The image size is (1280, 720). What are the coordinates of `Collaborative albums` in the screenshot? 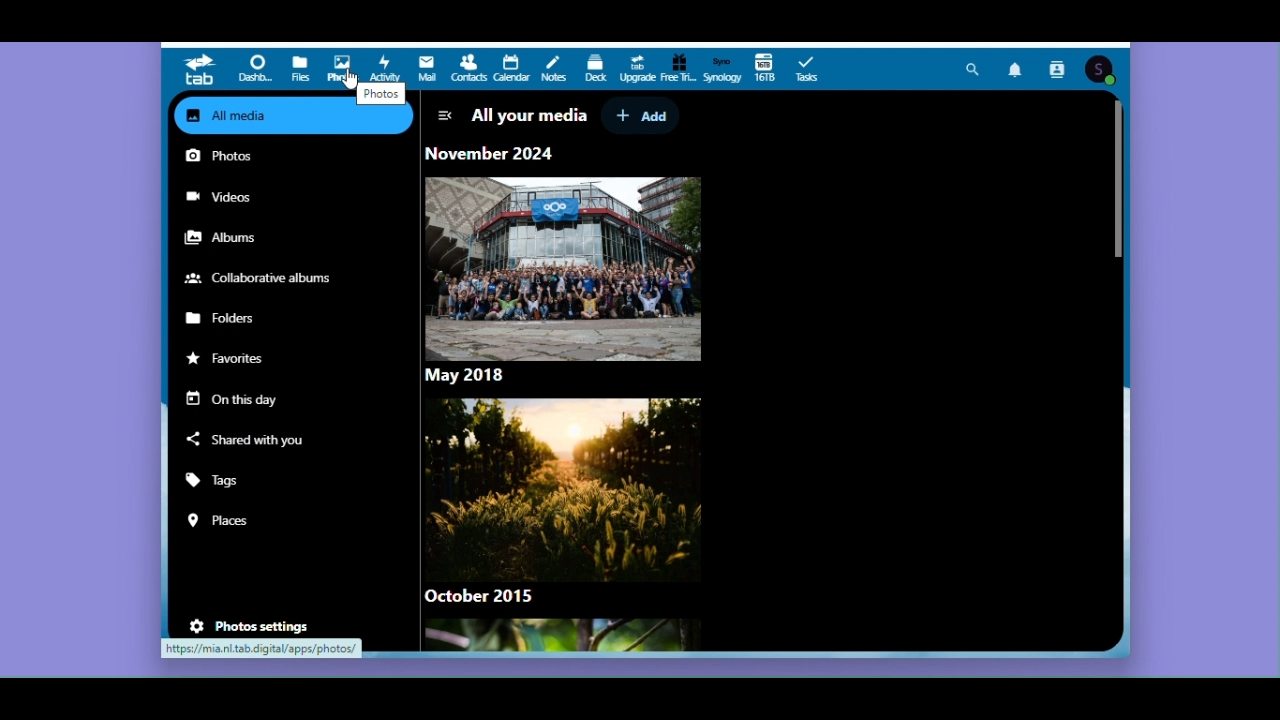 It's located at (261, 278).